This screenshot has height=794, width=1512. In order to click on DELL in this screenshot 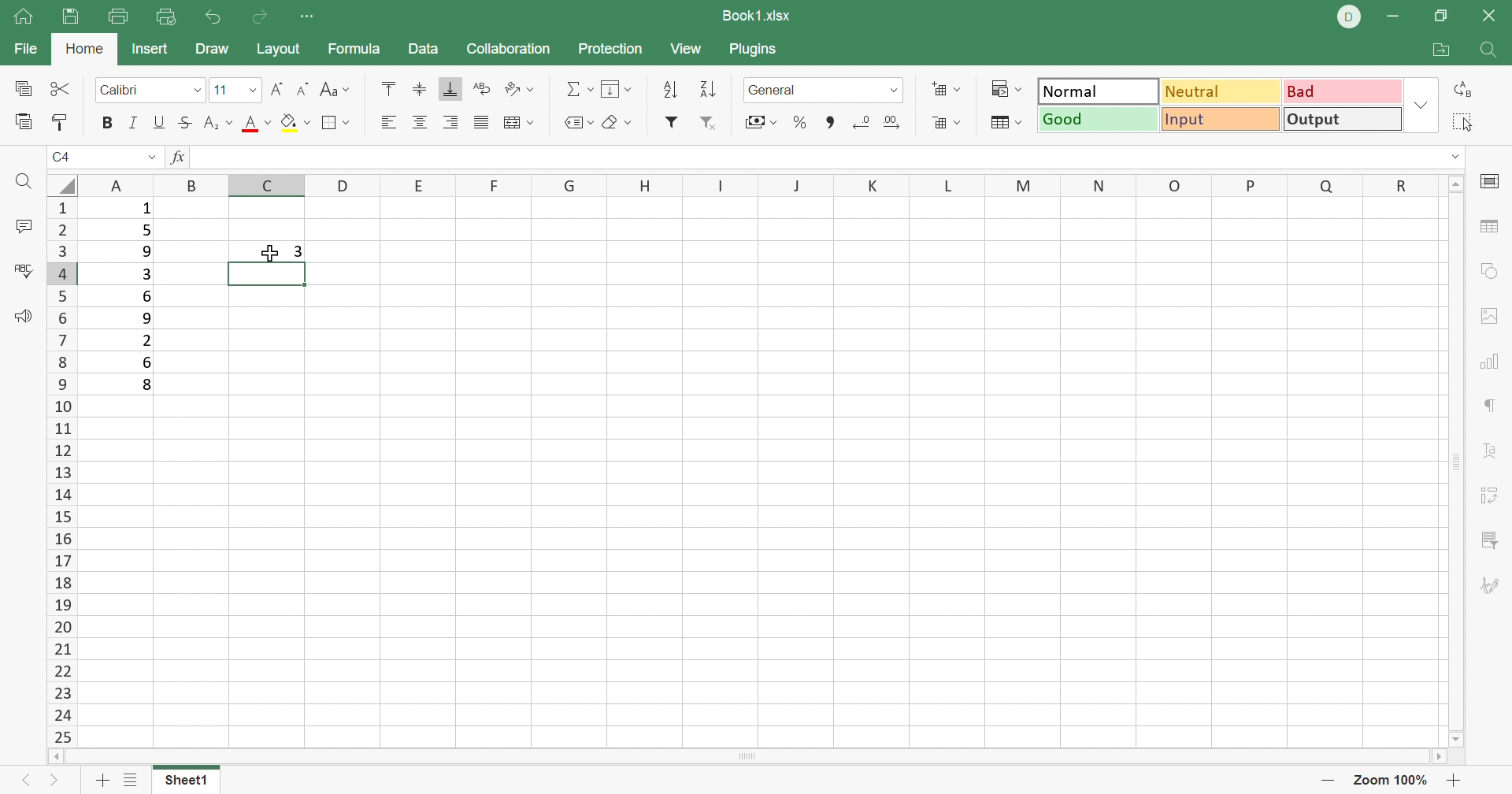, I will do `click(1347, 17)`.